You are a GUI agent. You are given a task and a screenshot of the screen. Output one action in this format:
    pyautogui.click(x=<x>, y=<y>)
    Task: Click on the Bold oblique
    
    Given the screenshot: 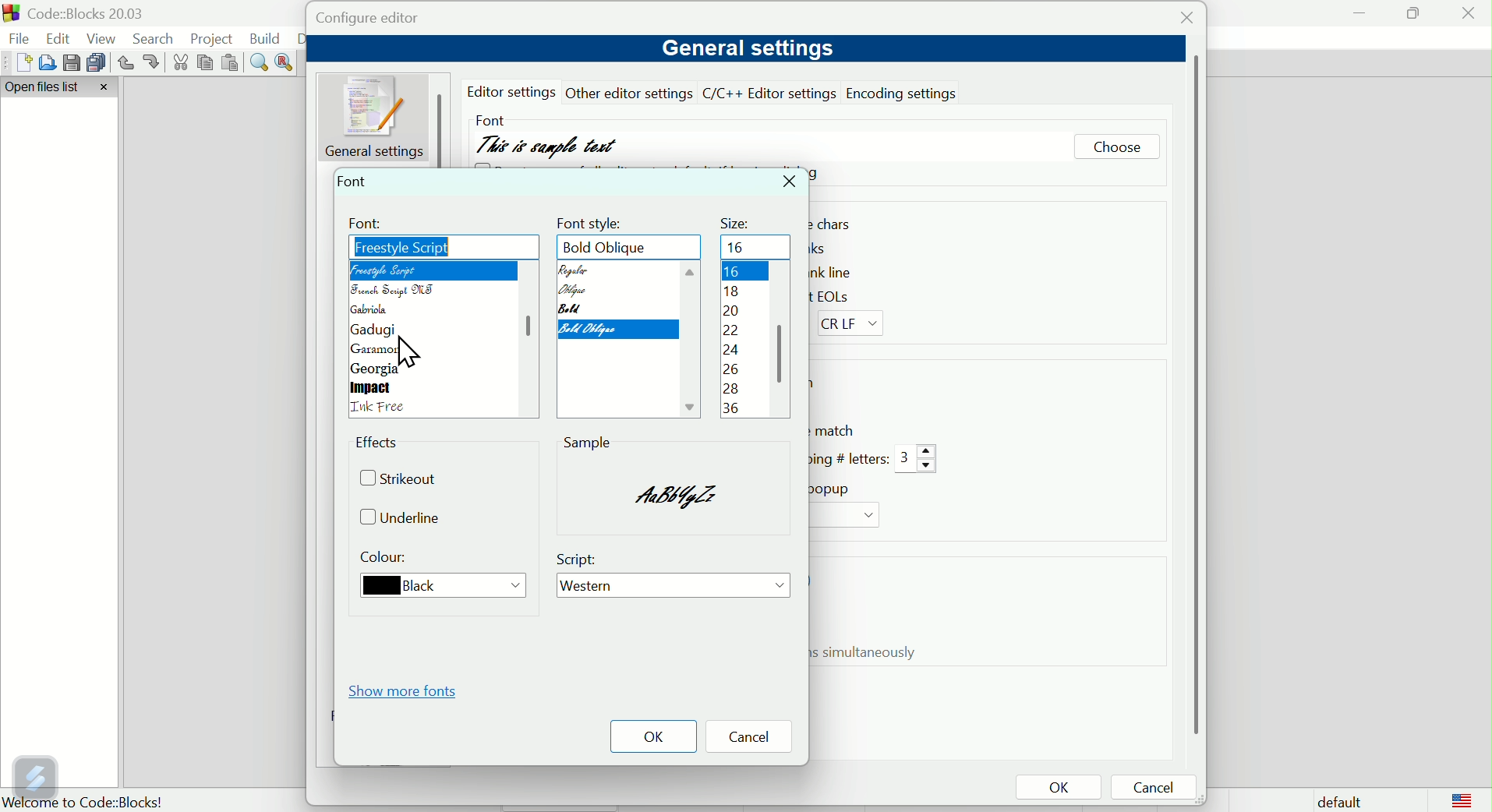 What is the action you would take?
    pyautogui.click(x=602, y=330)
    